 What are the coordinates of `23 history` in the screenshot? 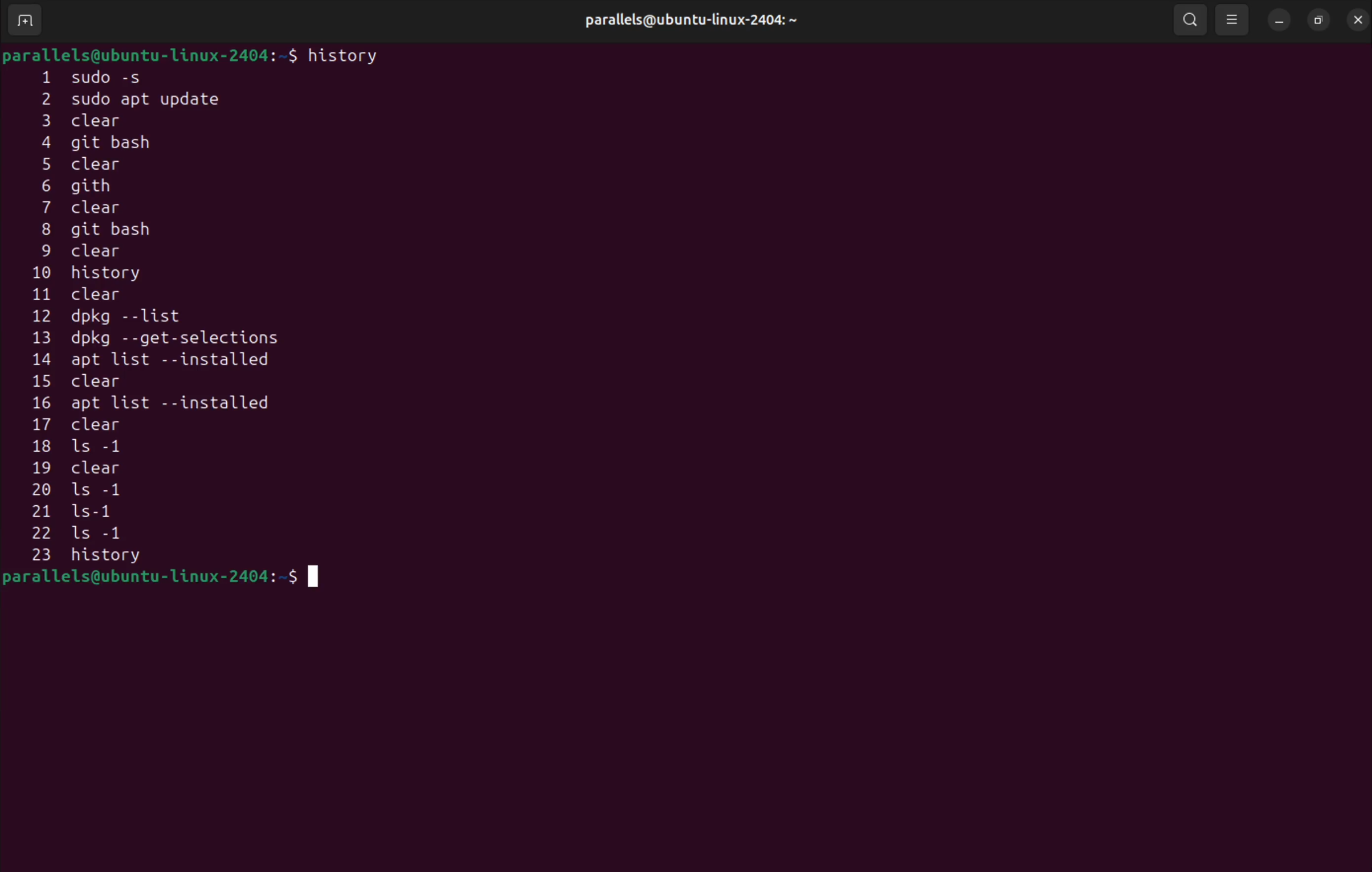 It's located at (117, 556).